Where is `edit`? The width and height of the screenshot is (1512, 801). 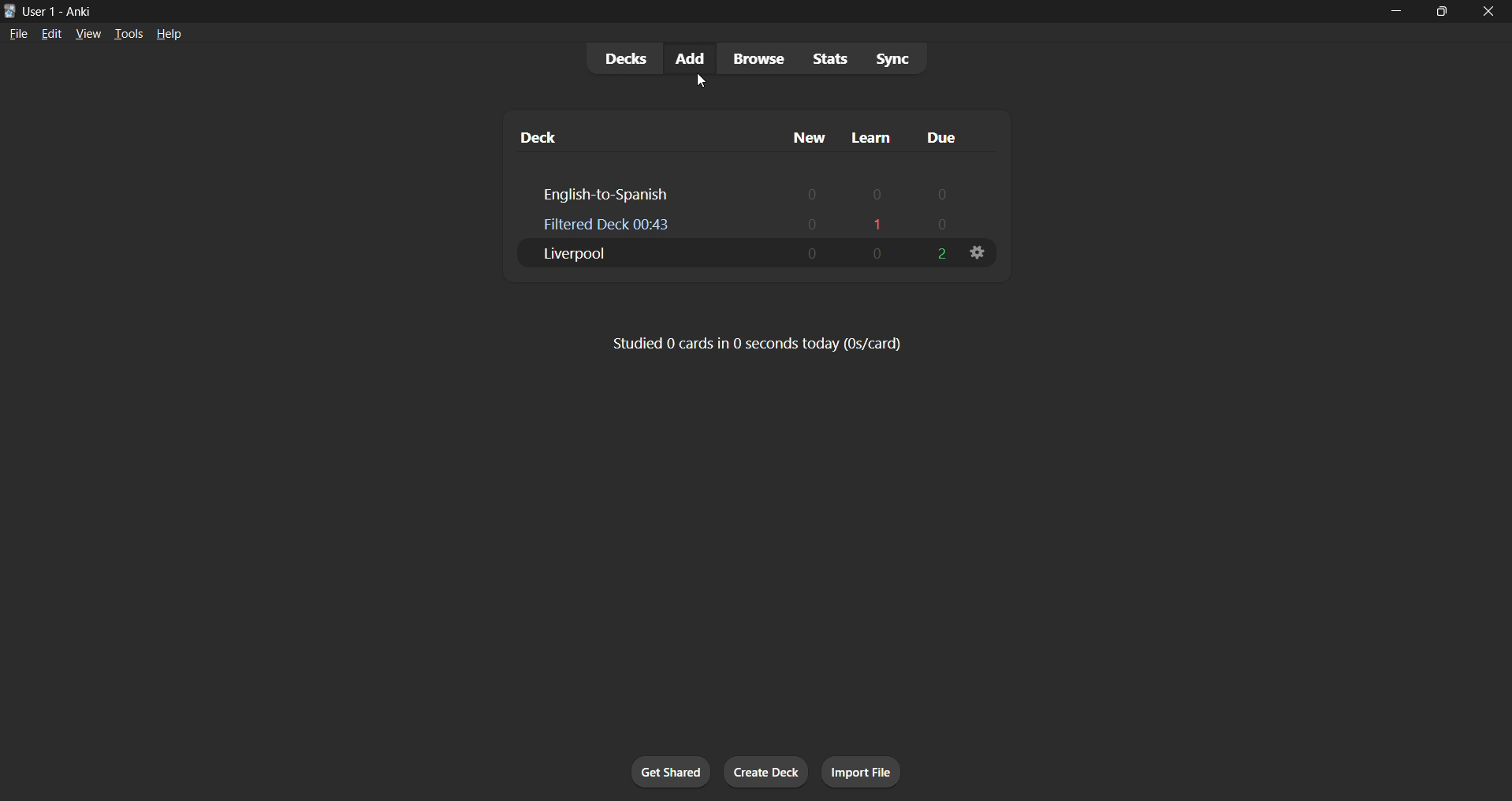 edit is located at coordinates (50, 32).